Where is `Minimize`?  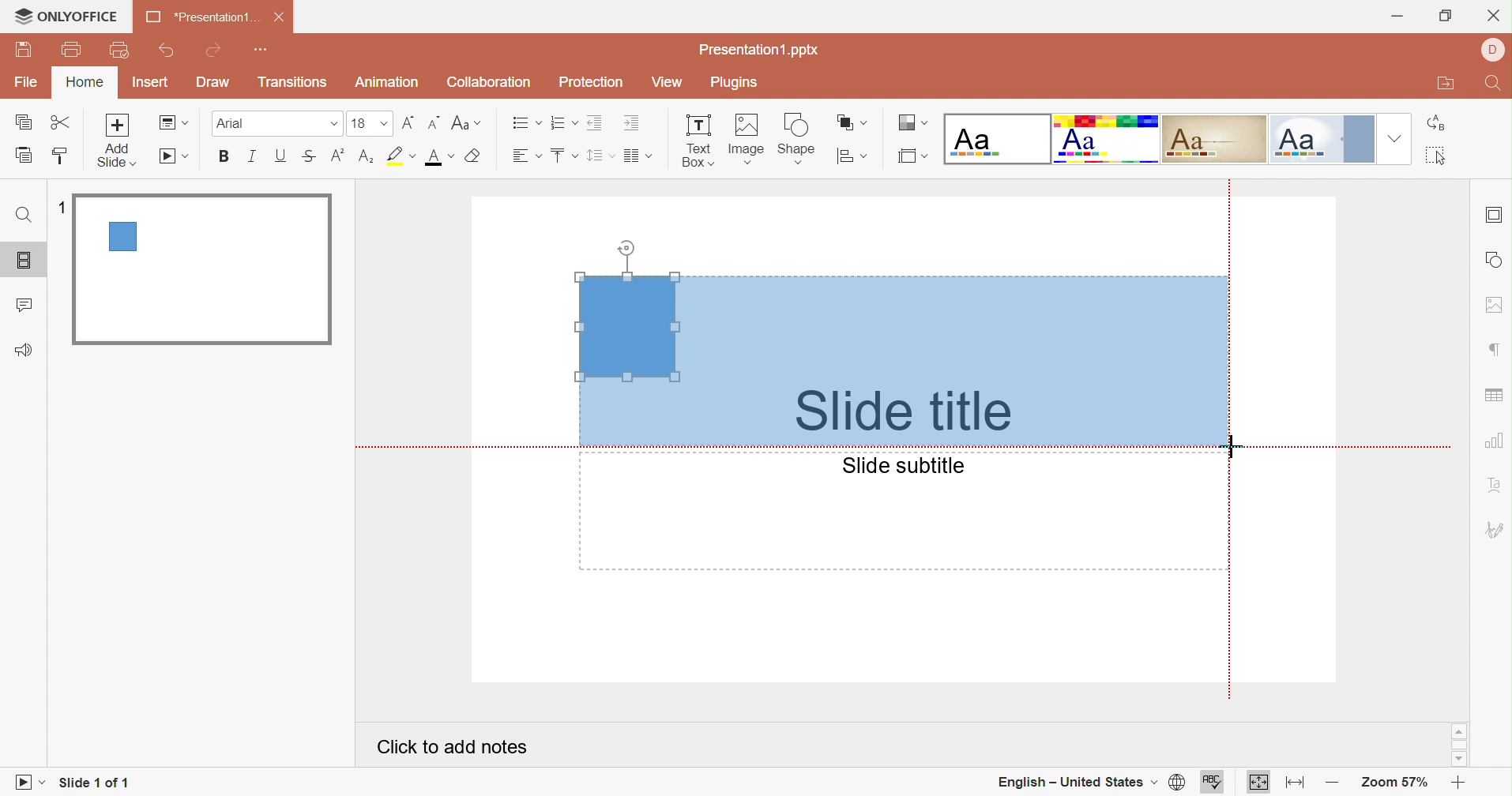
Minimize is located at coordinates (1401, 19).